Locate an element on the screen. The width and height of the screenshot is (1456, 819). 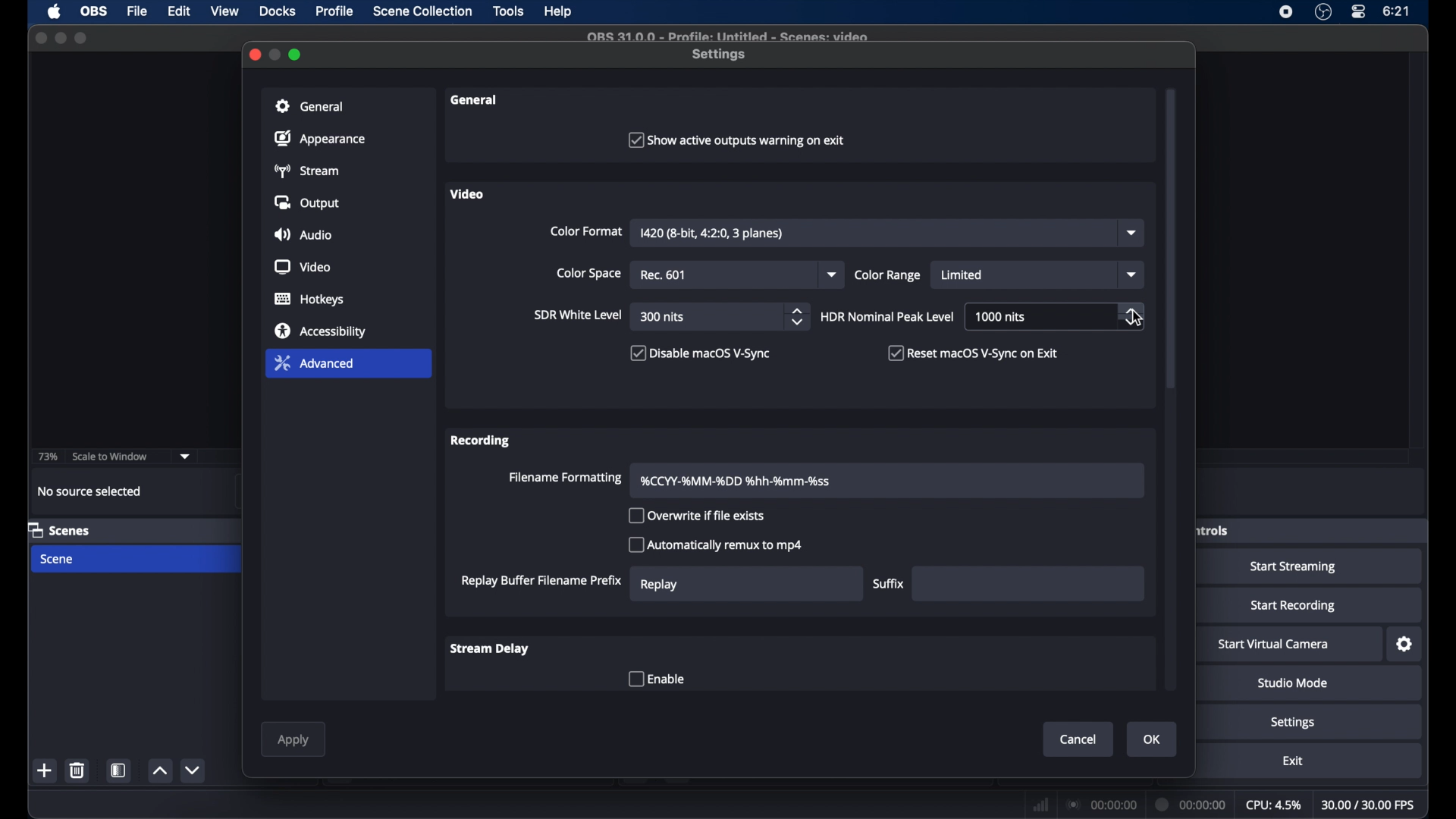
color range is located at coordinates (887, 275).